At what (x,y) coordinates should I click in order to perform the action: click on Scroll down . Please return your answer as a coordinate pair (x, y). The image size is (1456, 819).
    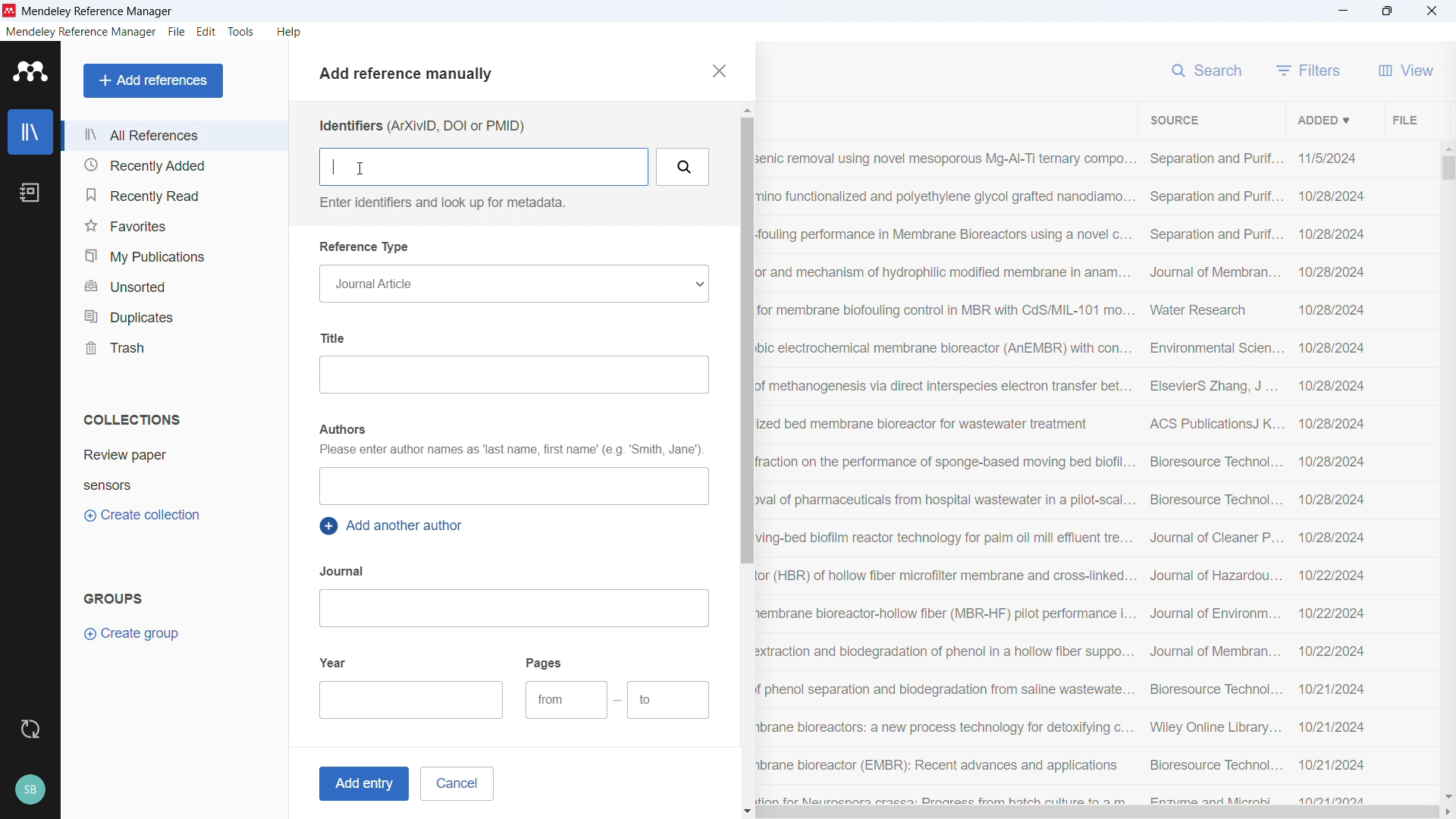
    Looking at the image, I should click on (1447, 796).